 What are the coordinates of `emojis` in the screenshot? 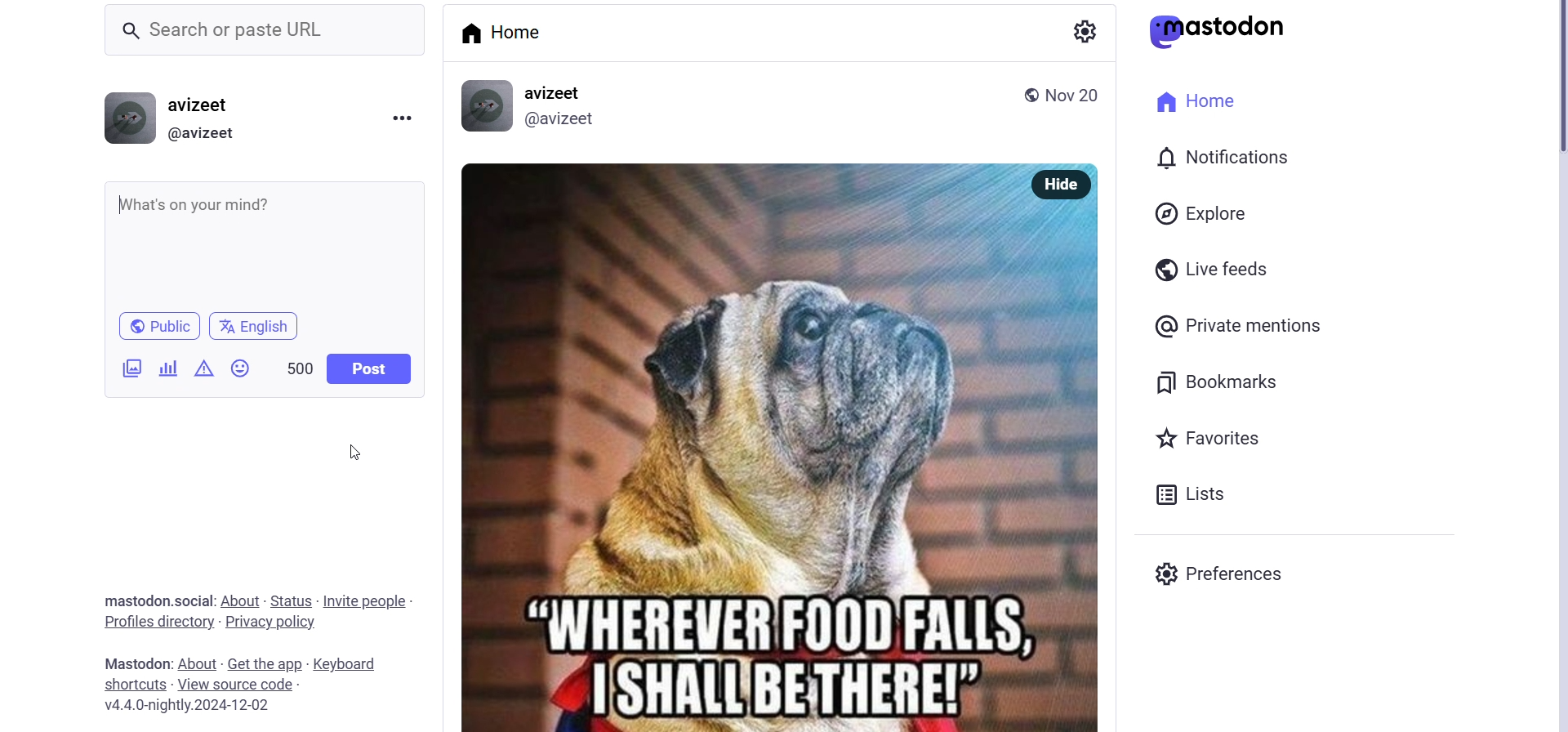 It's located at (244, 368).